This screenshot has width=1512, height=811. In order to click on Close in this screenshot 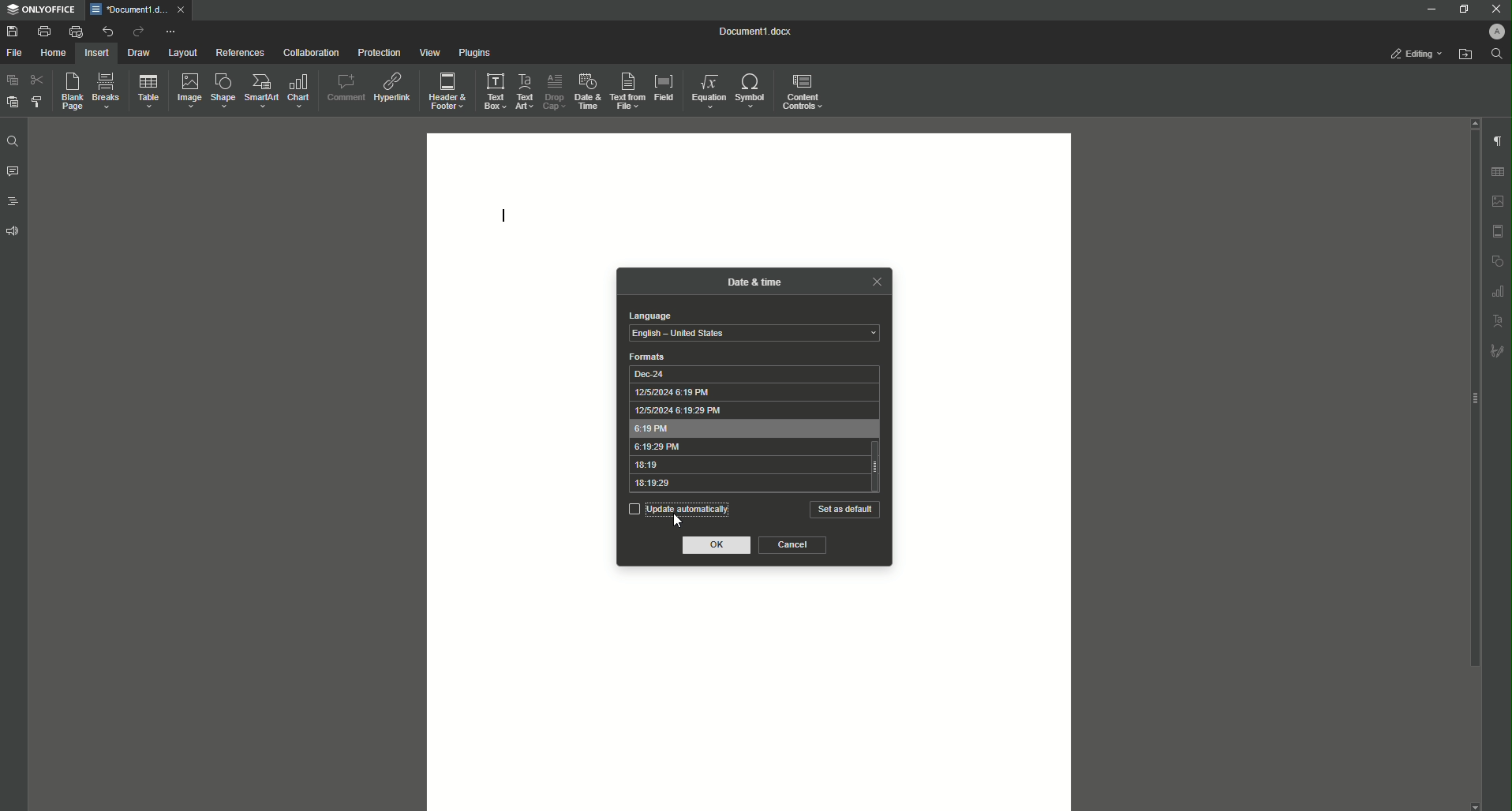, I will do `click(1495, 9)`.